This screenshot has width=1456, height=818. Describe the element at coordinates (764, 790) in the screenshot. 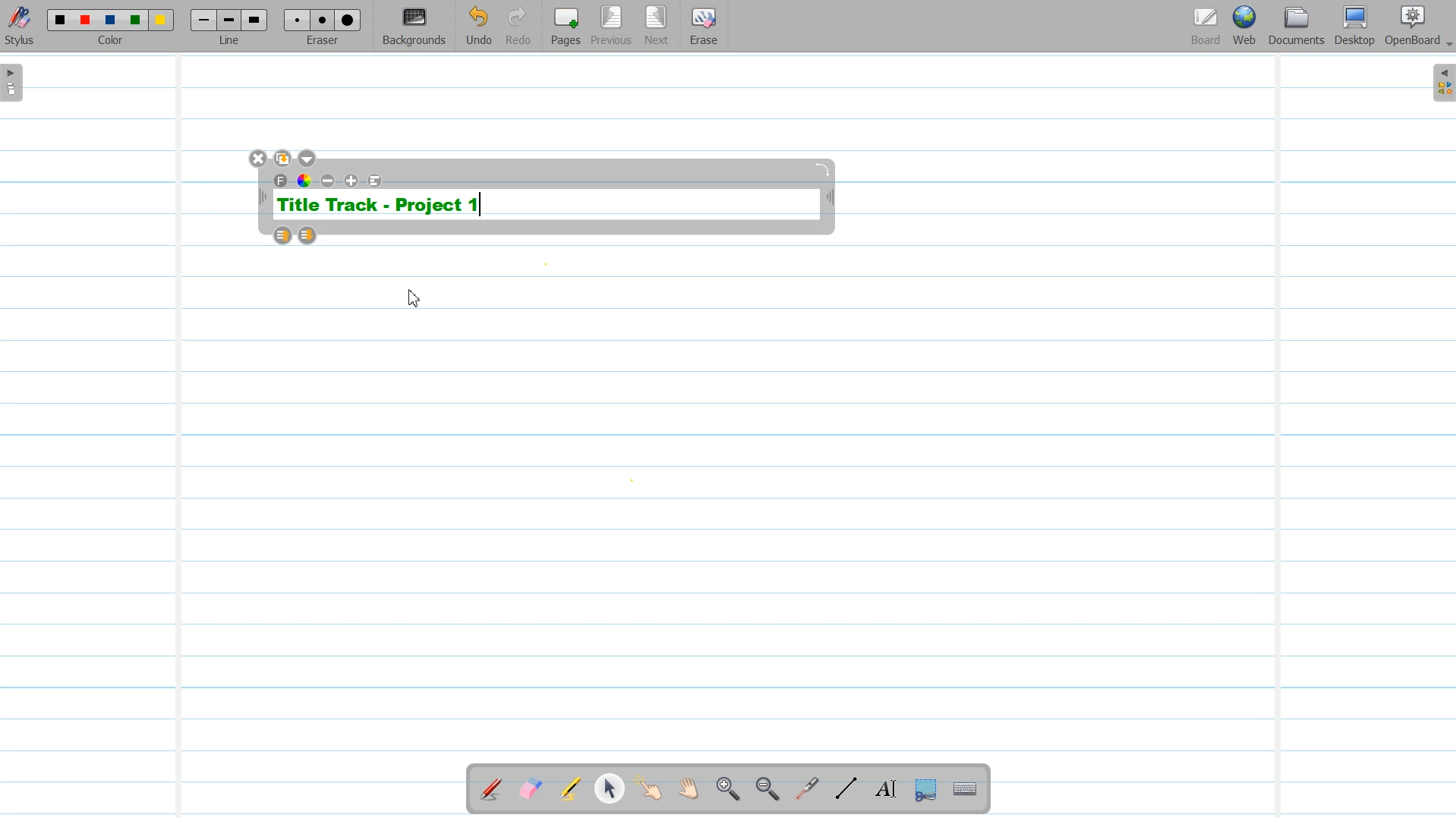

I see `Zoom Out` at that location.